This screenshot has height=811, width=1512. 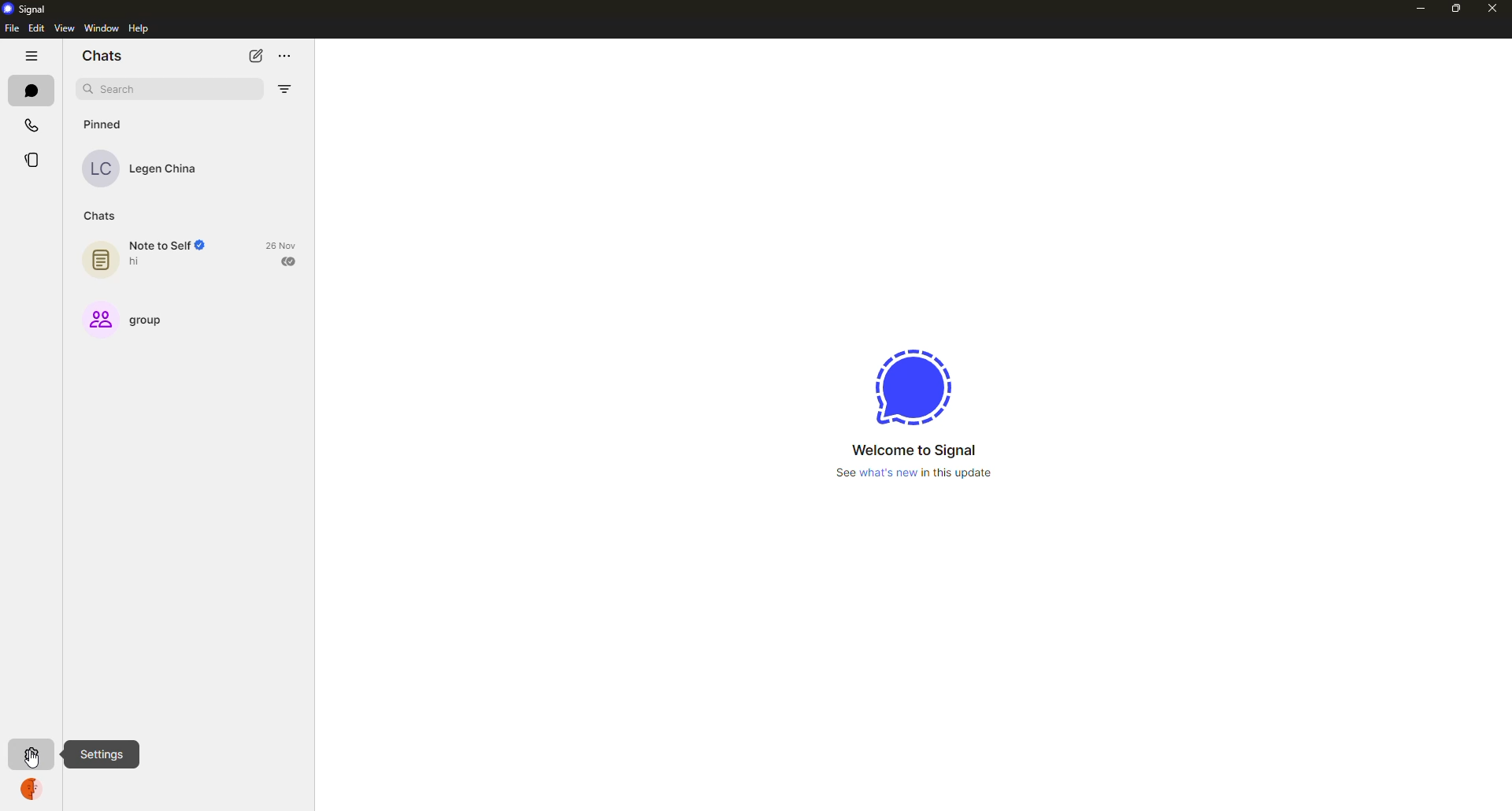 I want to click on sent, so click(x=290, y=261).